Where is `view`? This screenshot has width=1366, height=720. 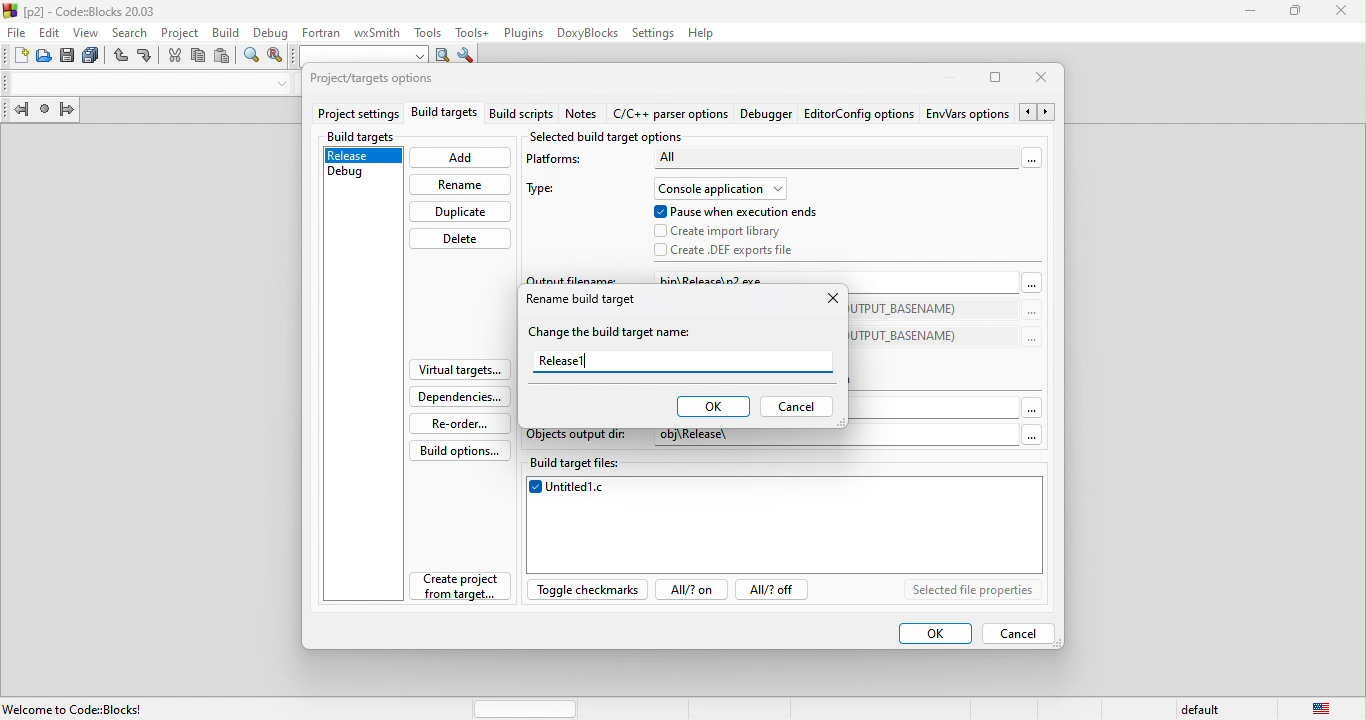 view is located at coordinates (89, 32).